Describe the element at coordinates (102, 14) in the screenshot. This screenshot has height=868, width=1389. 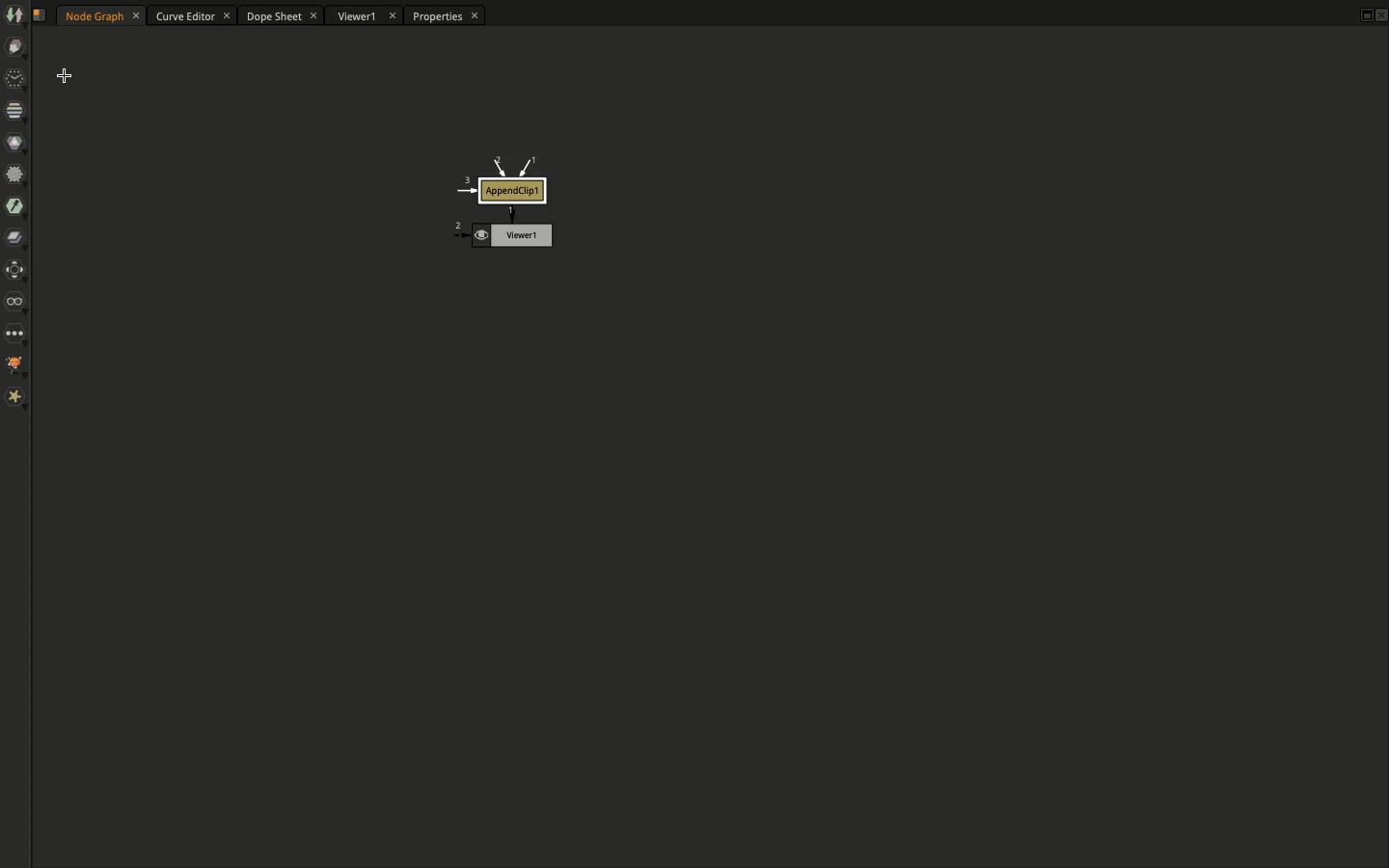
I see `Node graph` at that location.